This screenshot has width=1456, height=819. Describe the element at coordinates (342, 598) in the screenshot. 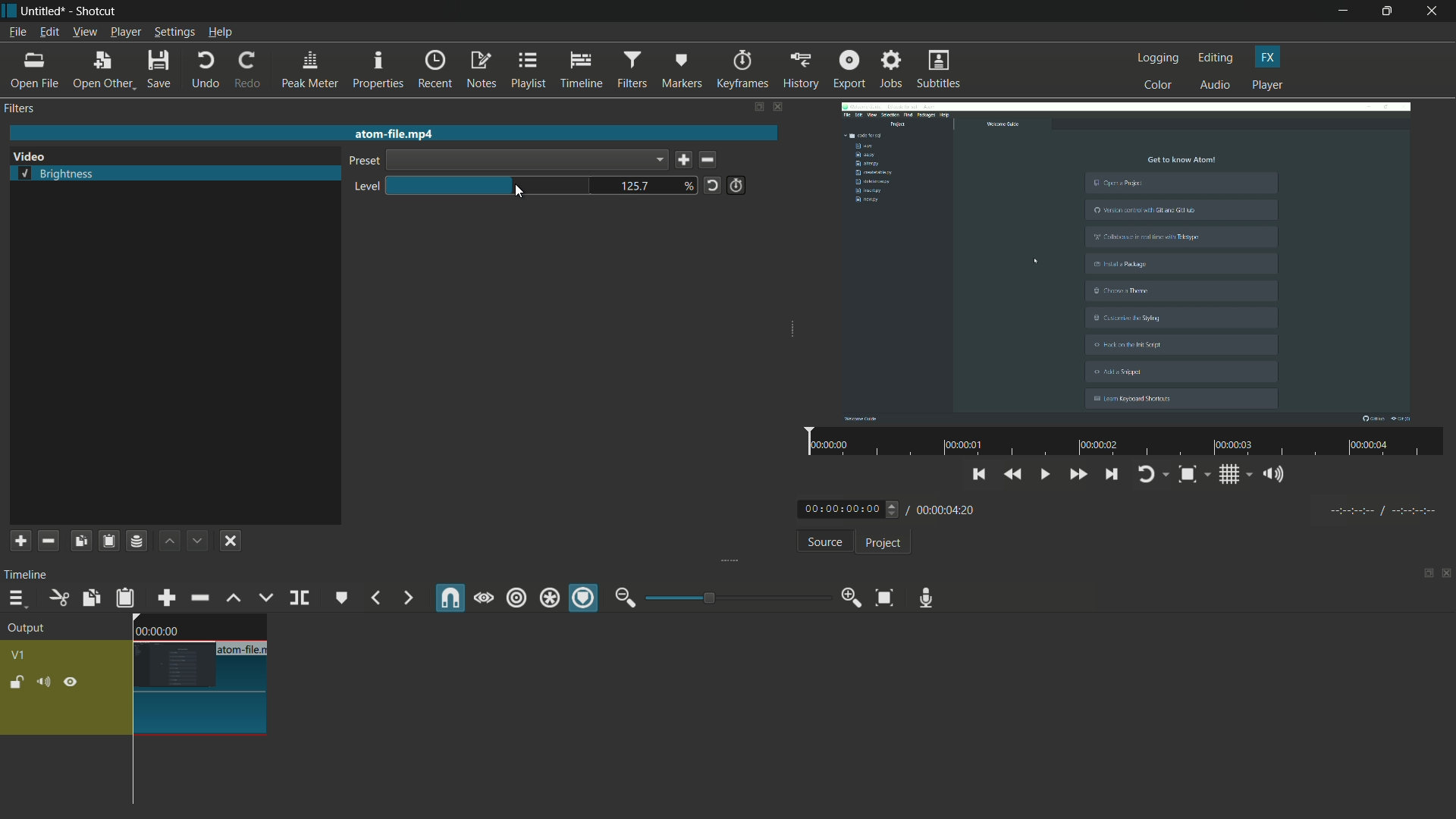

I see `create/edit marker` at that location.